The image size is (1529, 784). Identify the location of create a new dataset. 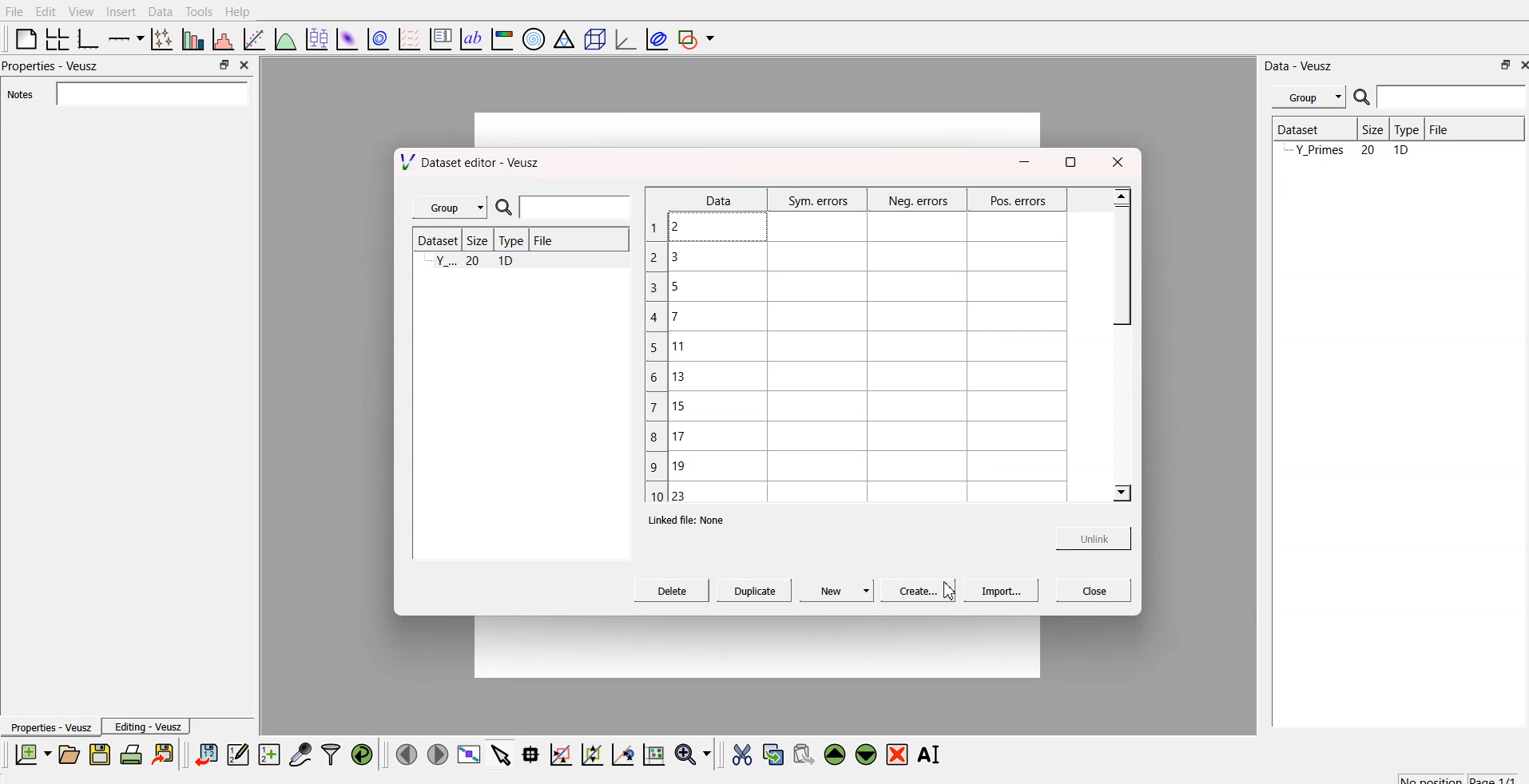
(269, 756).